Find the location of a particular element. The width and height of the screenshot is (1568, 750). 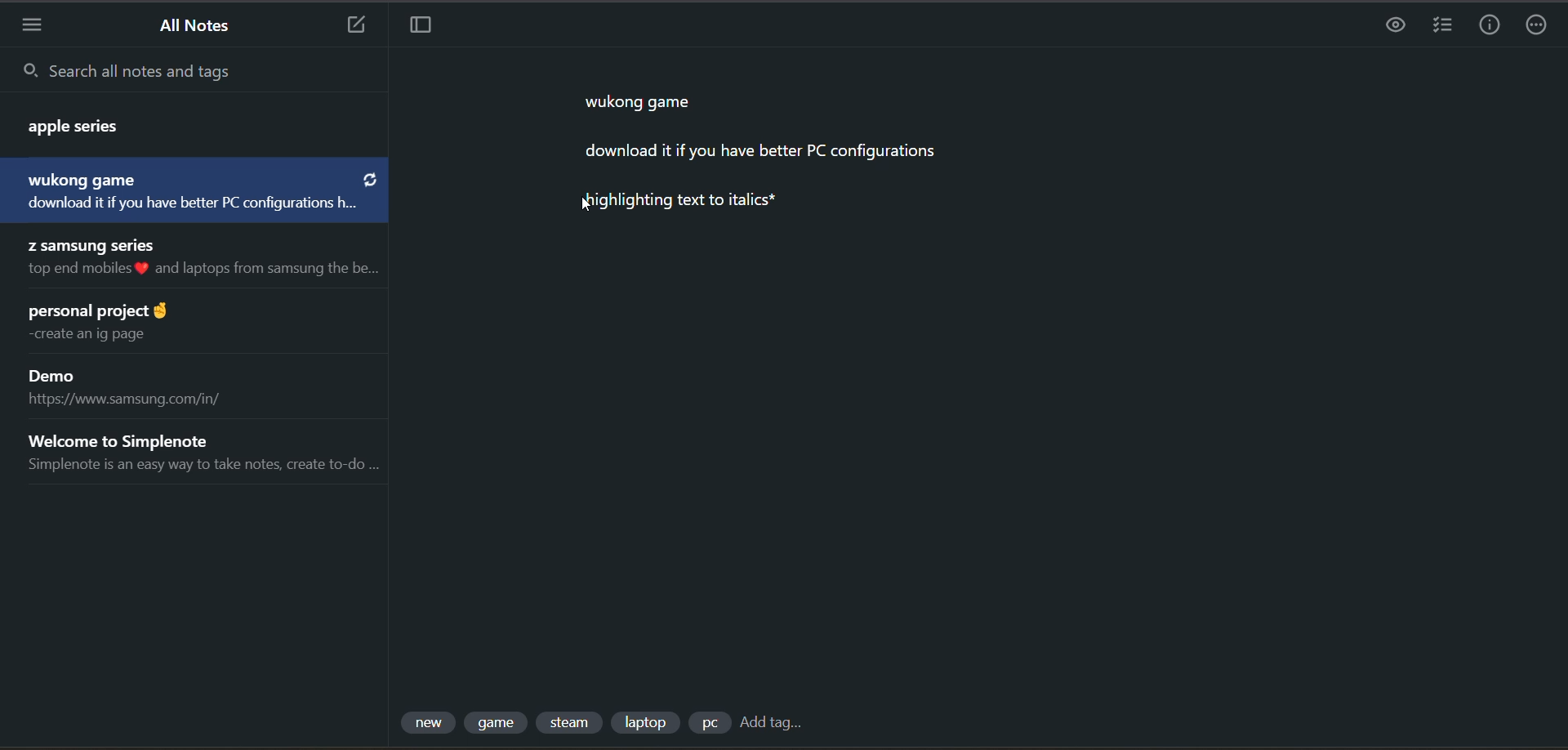

tag 5 is located at coordinates (708, 723).